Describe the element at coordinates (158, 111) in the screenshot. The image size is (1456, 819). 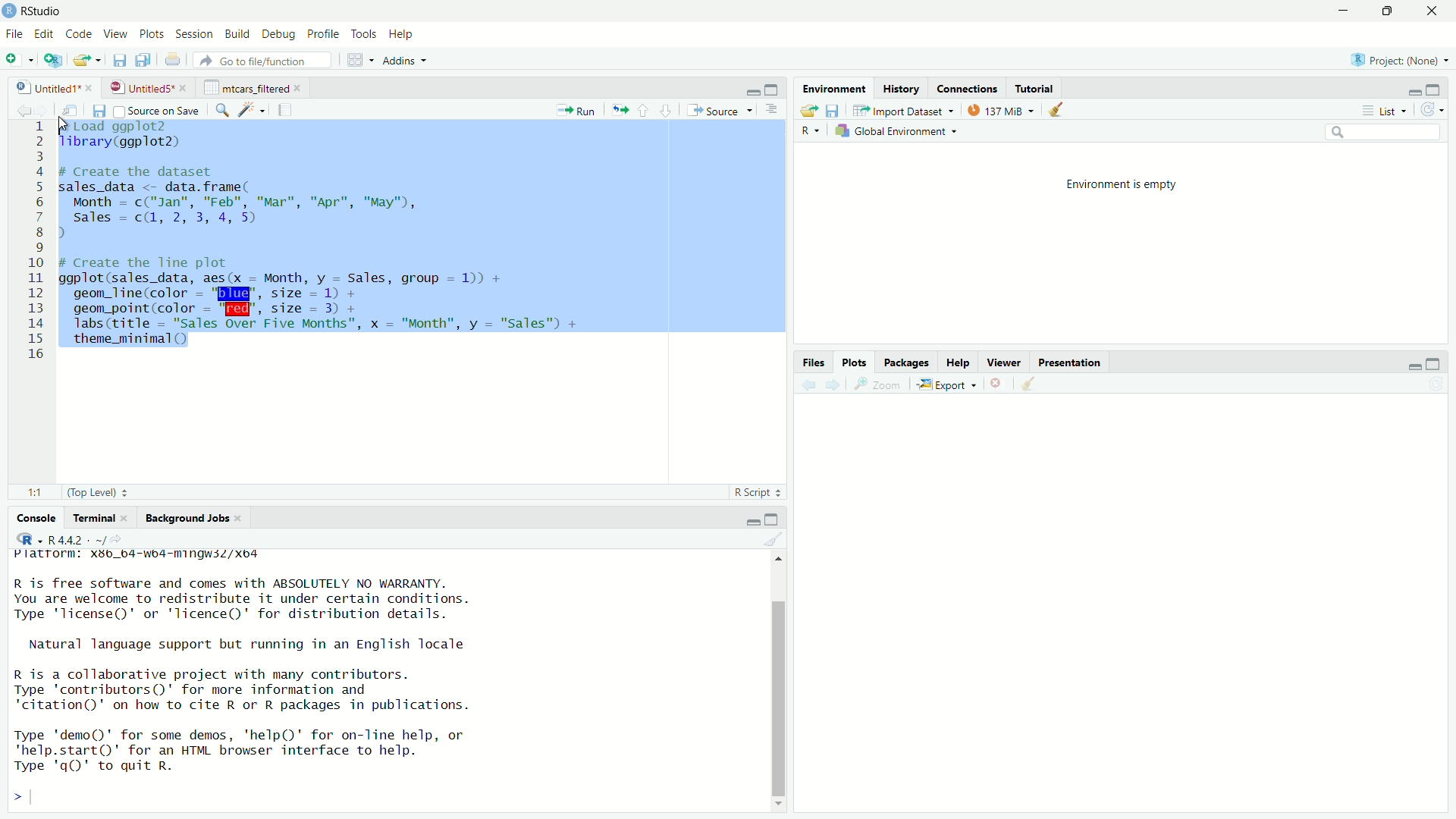
I see `source on save` at that location.